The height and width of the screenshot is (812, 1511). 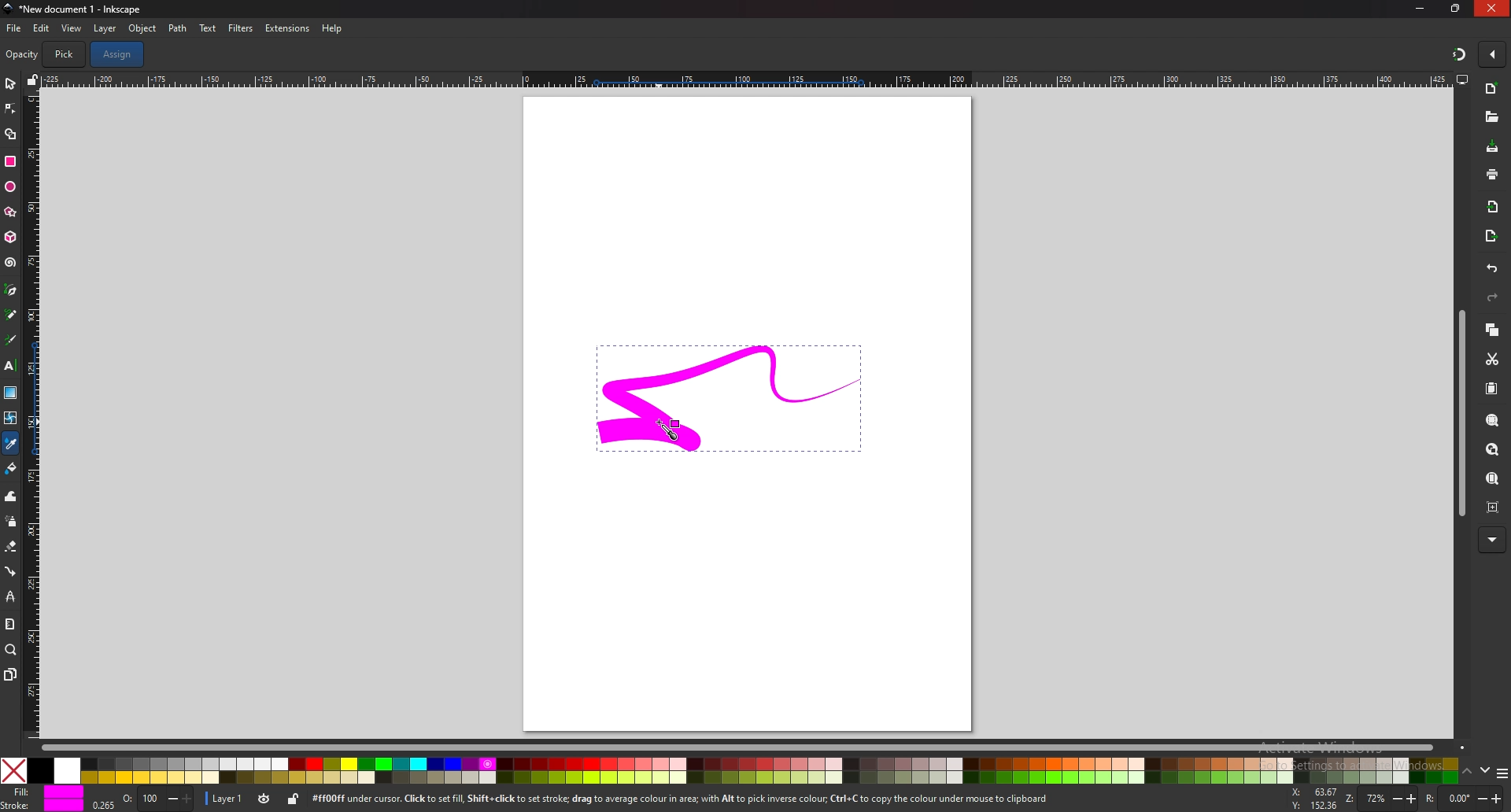 I want to click on pages, so click(x=10, y=674).